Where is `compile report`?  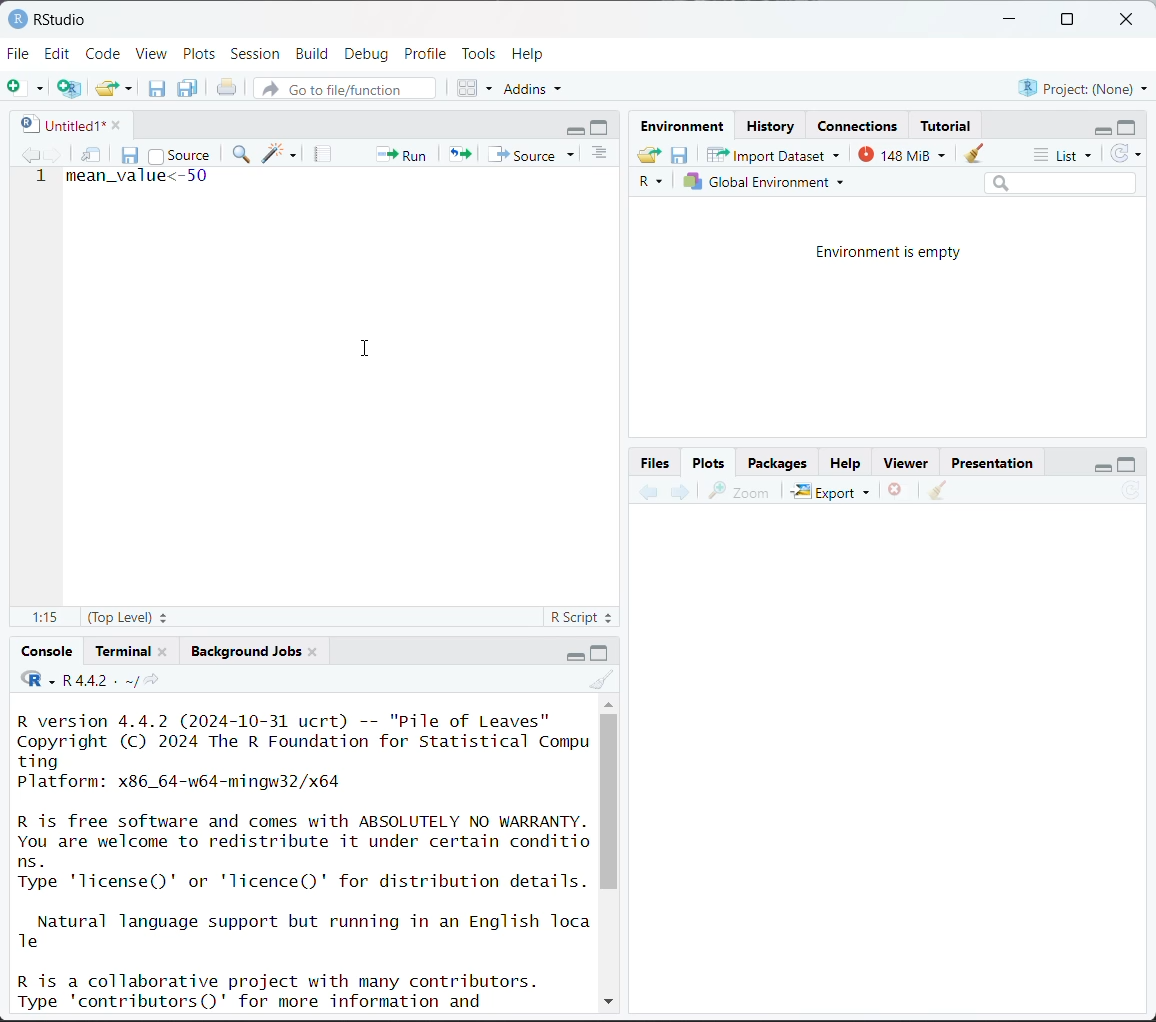
compile report is located at coordinates (325, 154).